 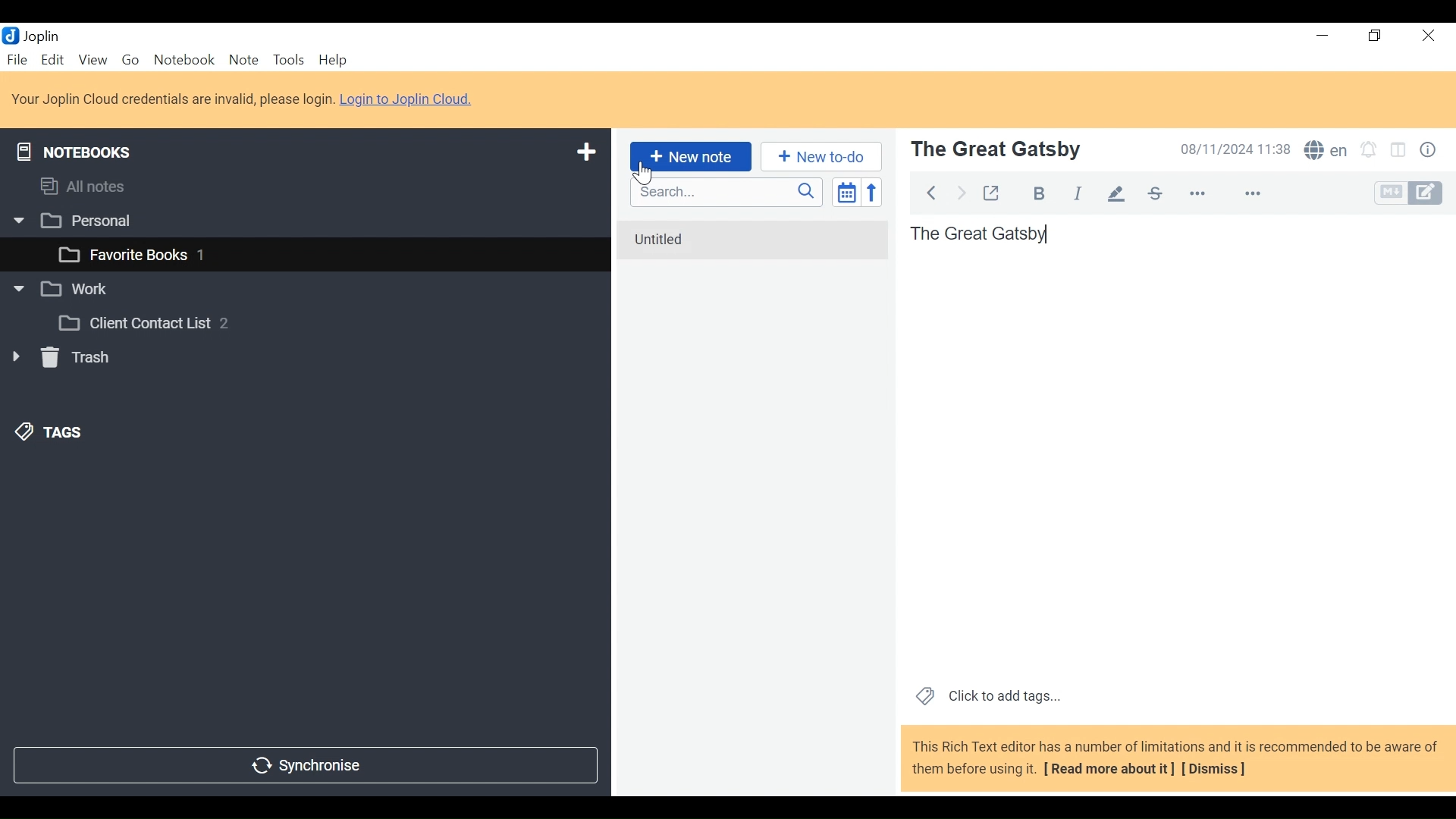 I want to click on Note properties, so click(x=1429, y=151).